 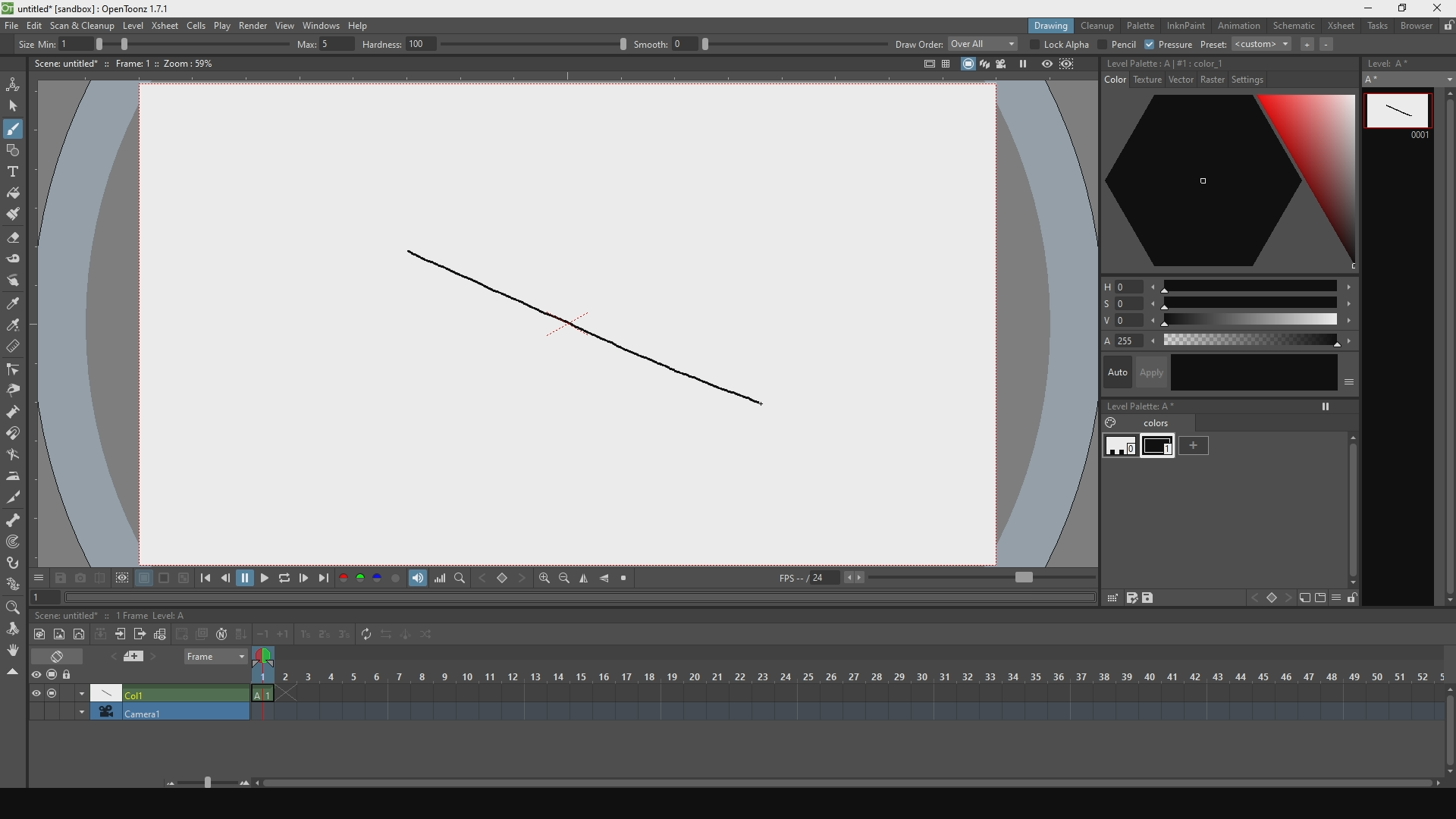 I want to click on hide menu, so click(x=1335, y=598).